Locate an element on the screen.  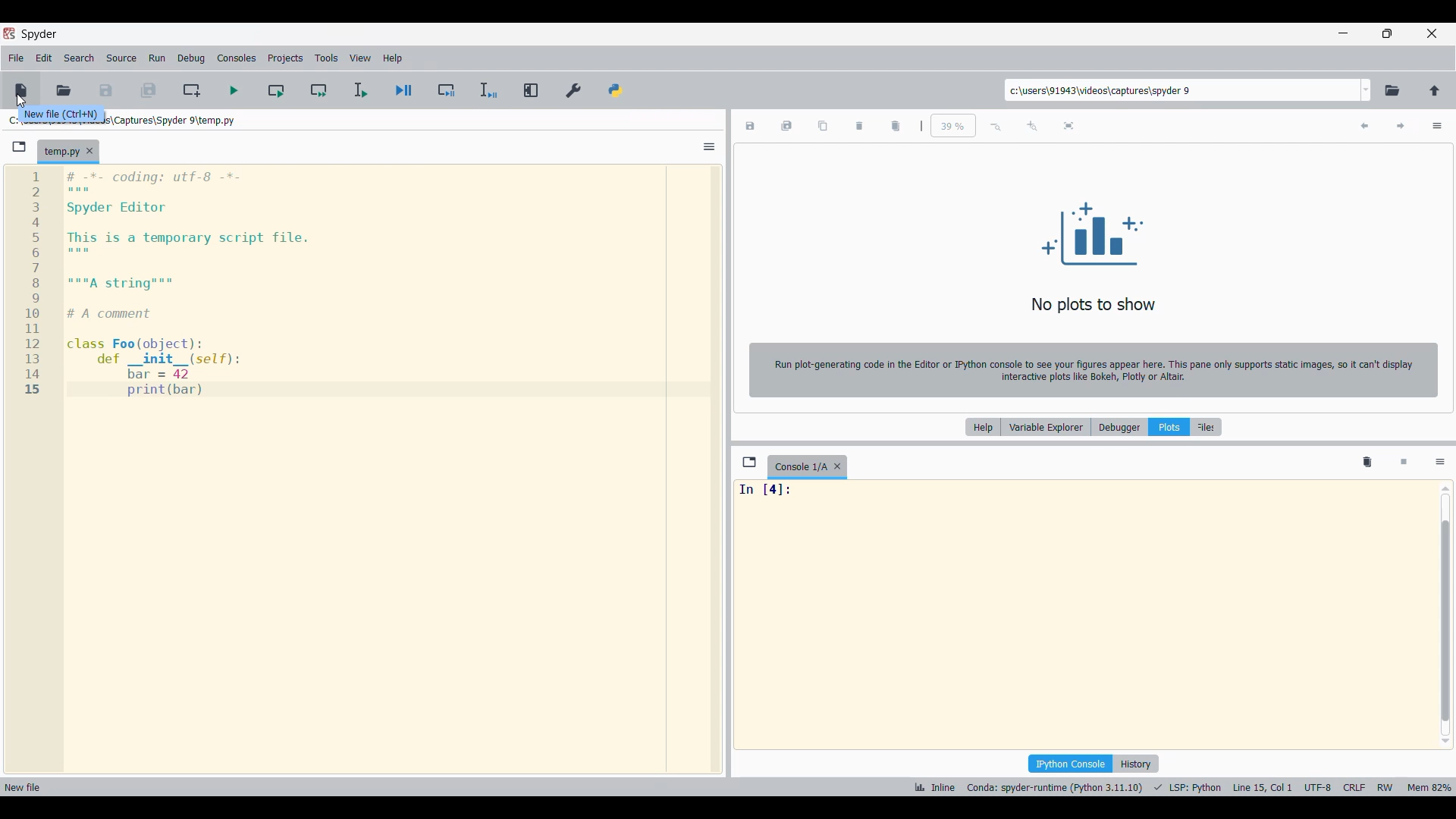
programming language is located at coordinates (1185, 787).